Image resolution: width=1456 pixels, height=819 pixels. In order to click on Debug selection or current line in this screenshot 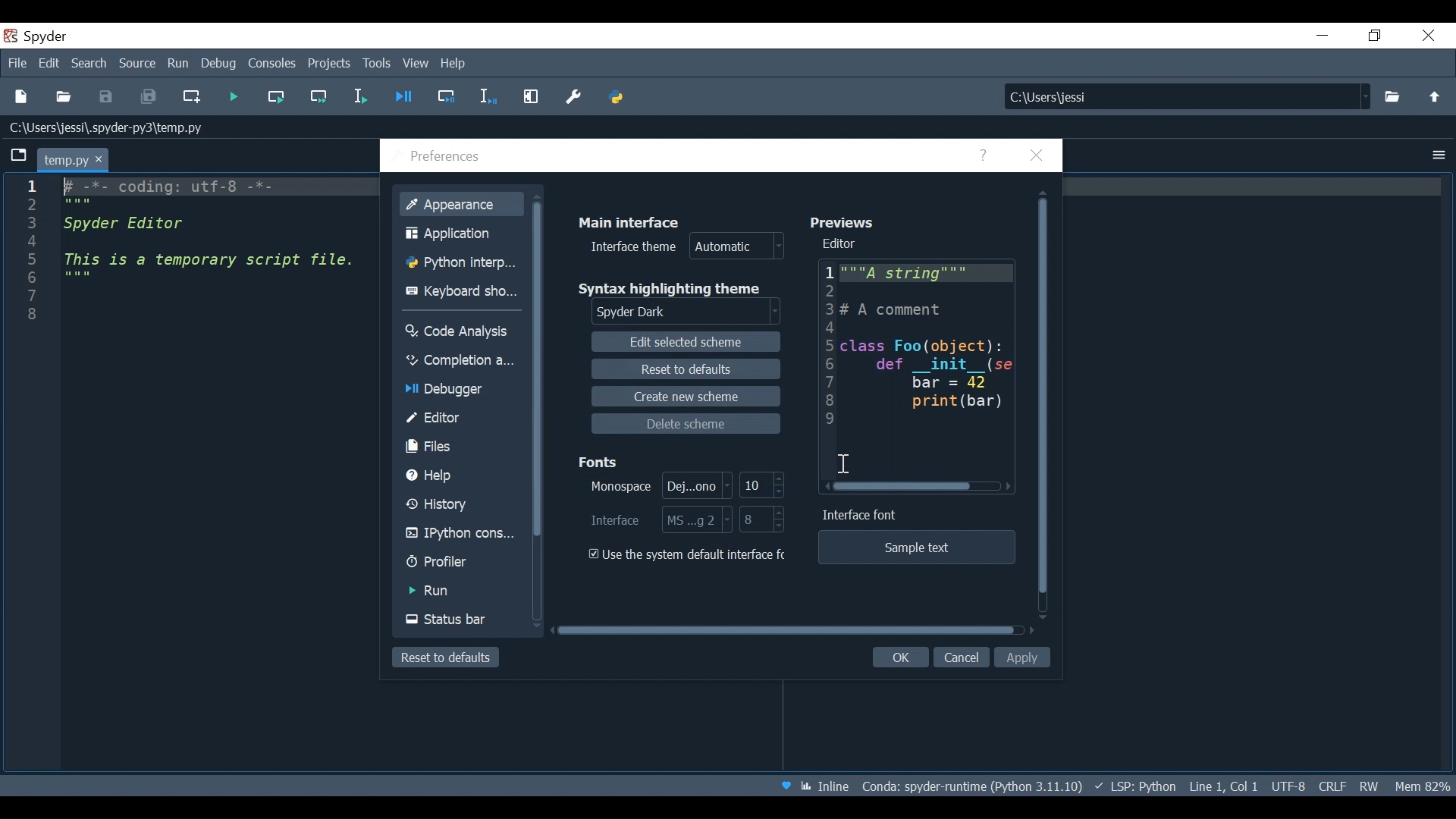, I will do `click(486, 99)`.